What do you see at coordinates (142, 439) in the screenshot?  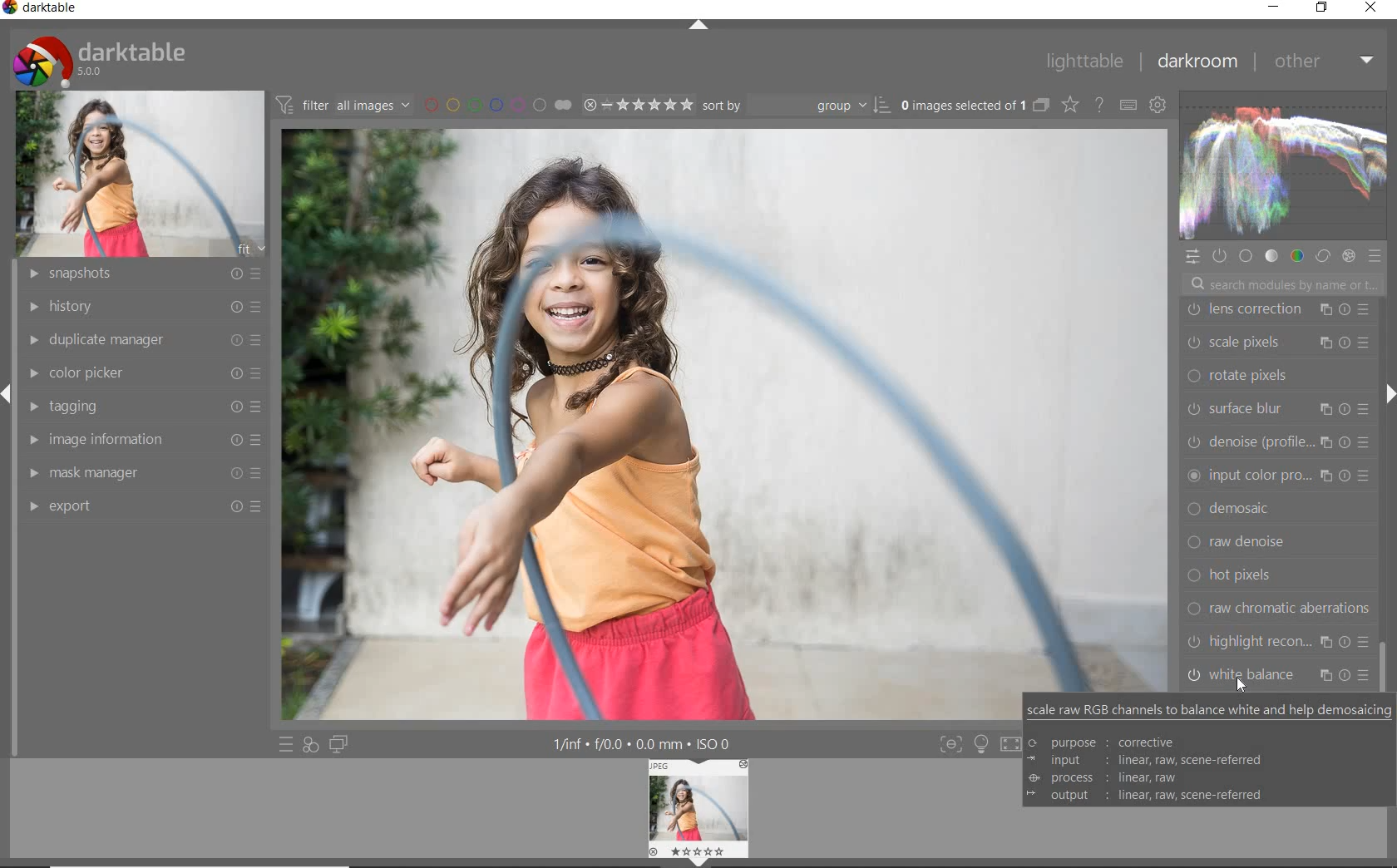 I see `image information` at bounding box center [142, 439].